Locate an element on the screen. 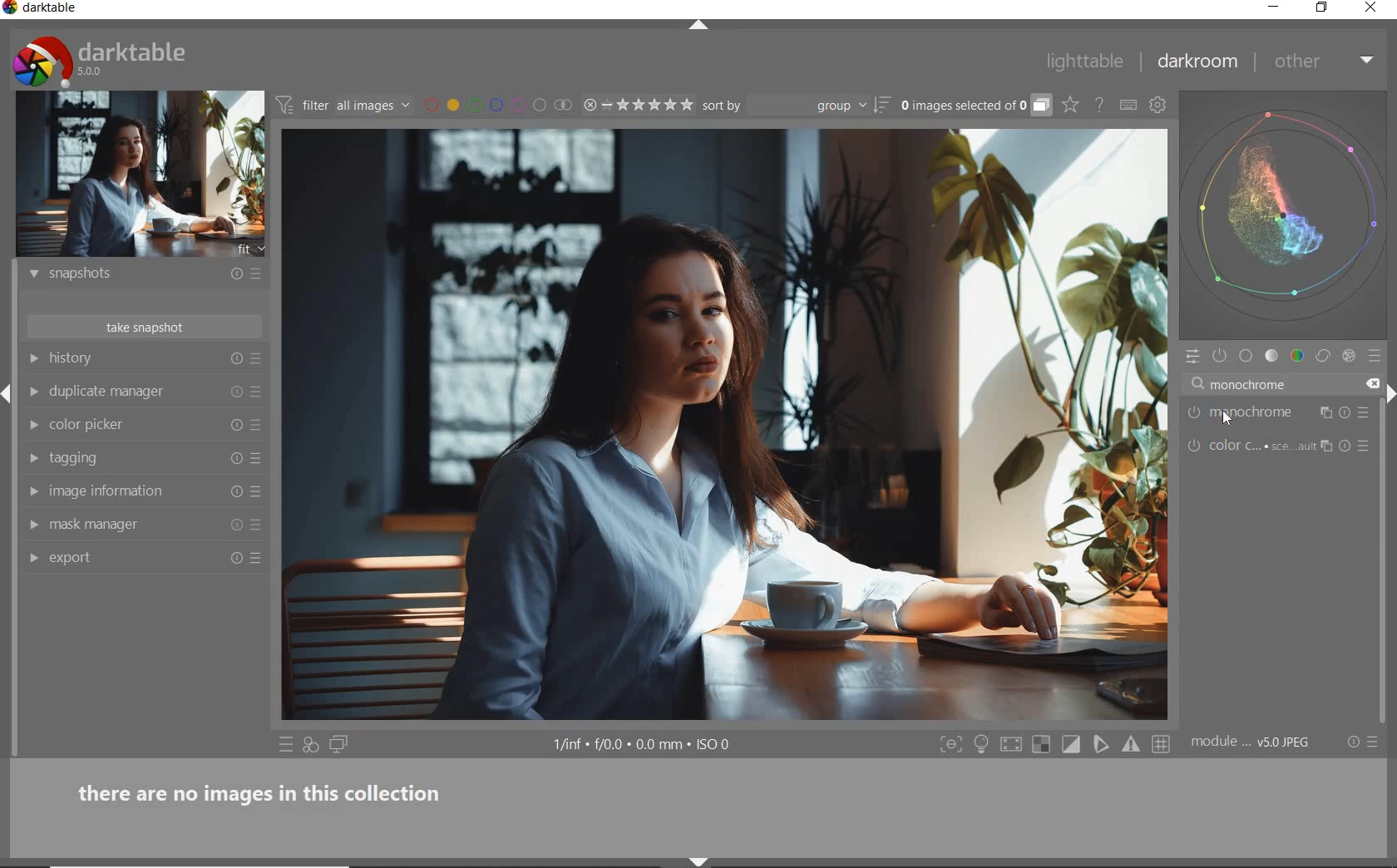  'color c' is switched off is located at coordinates (1194, 446).